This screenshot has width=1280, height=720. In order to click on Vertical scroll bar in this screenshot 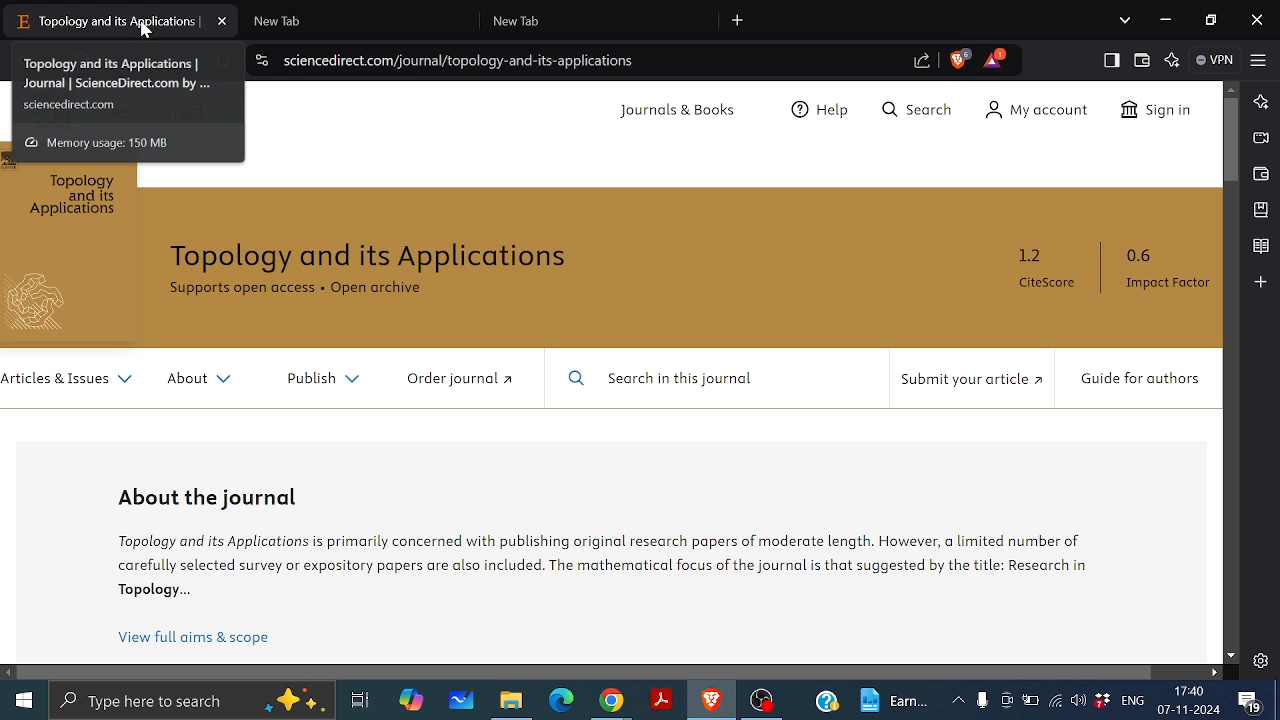, I will do `click(1231, 140)`.